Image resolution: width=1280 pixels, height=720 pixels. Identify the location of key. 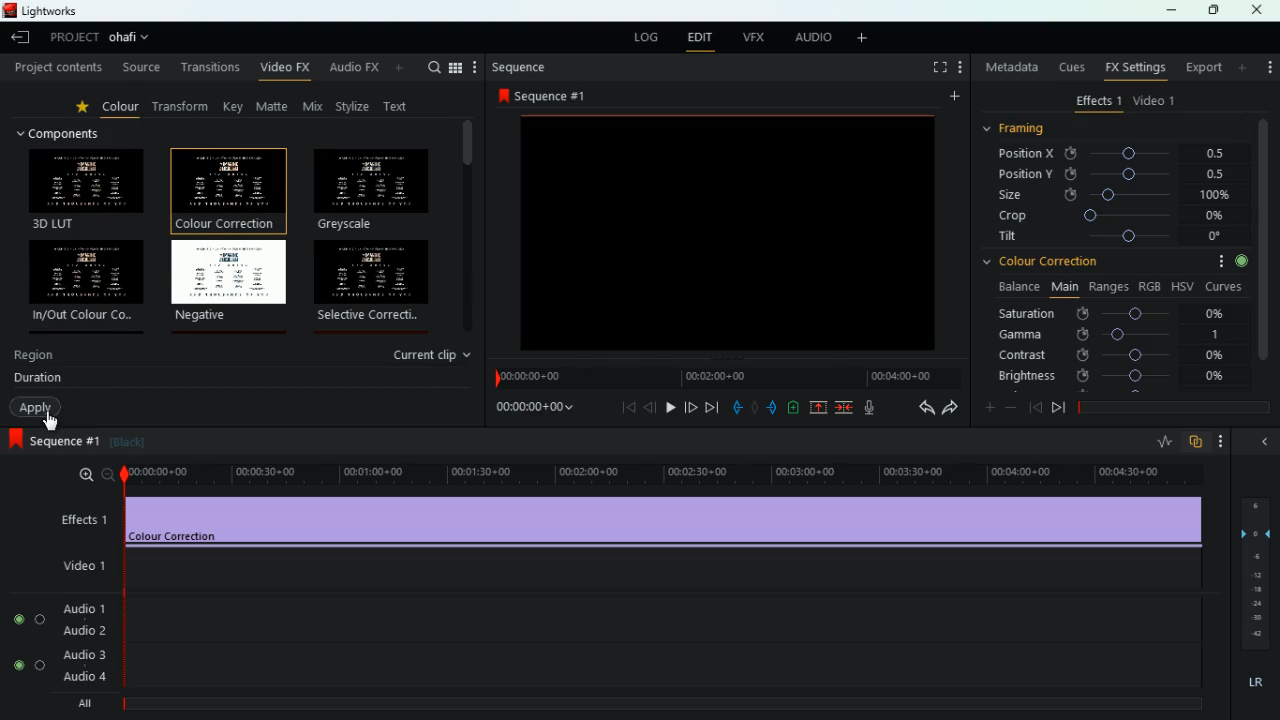
(234, 107).